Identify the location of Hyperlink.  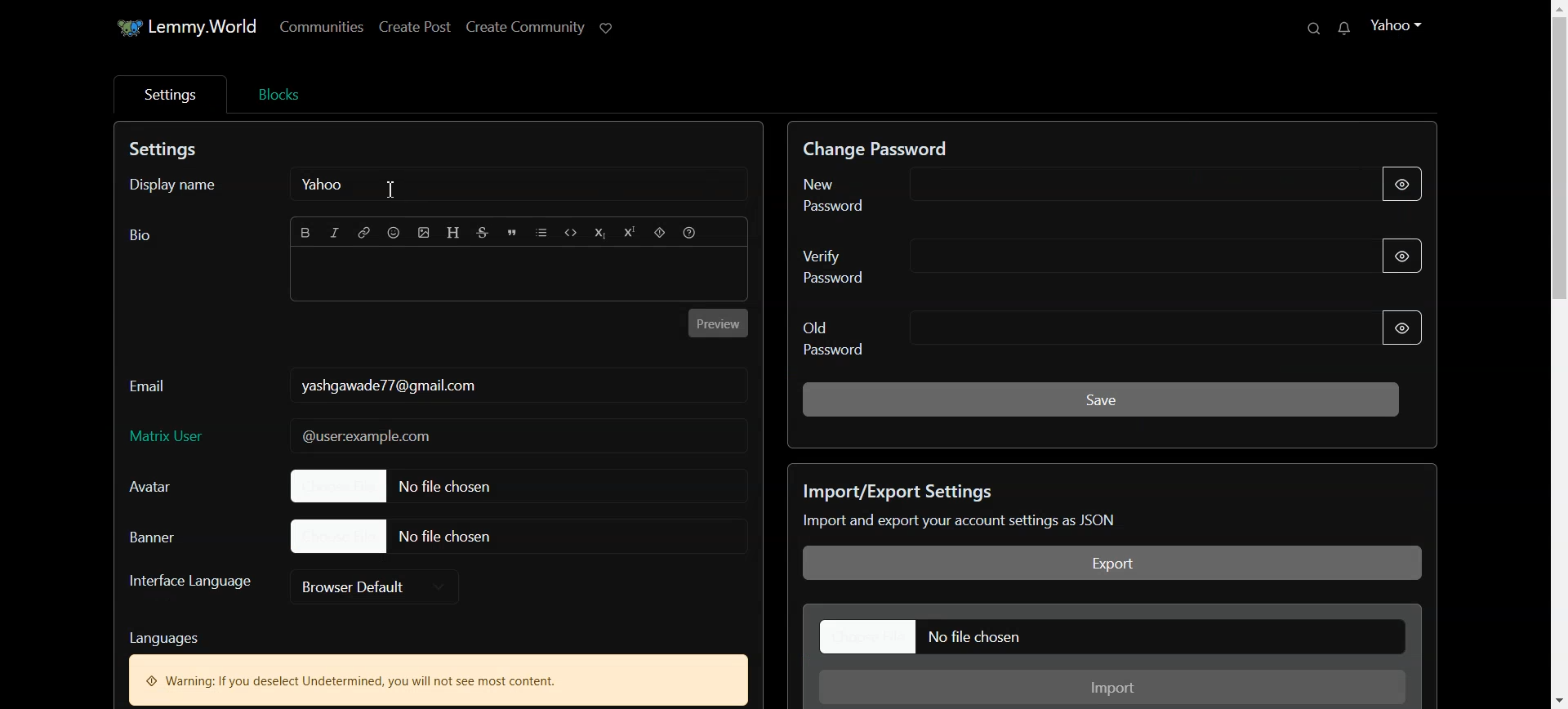
(364, 234).